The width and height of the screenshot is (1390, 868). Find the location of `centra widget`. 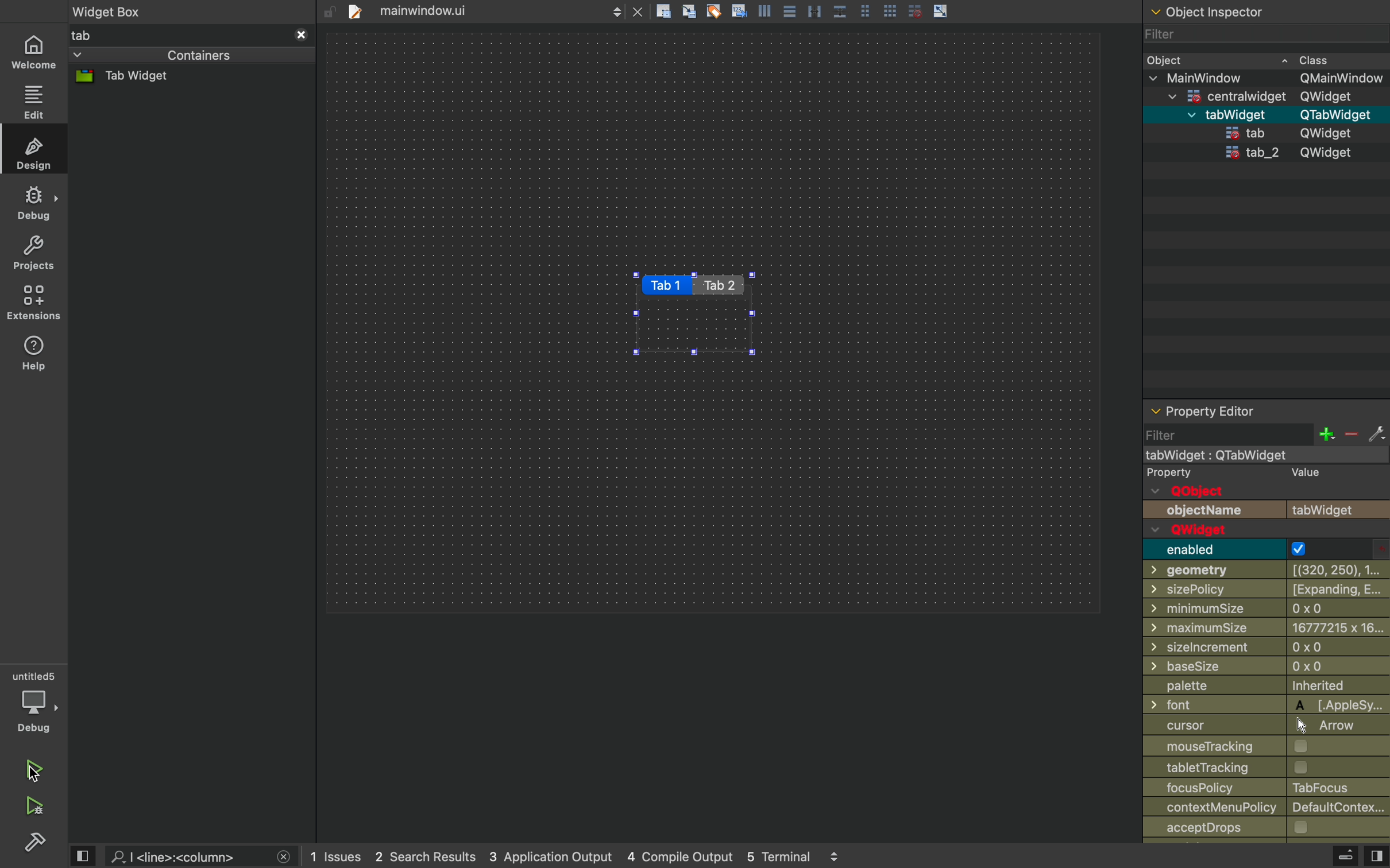

centra widget is located at coordinates (1262, 96).